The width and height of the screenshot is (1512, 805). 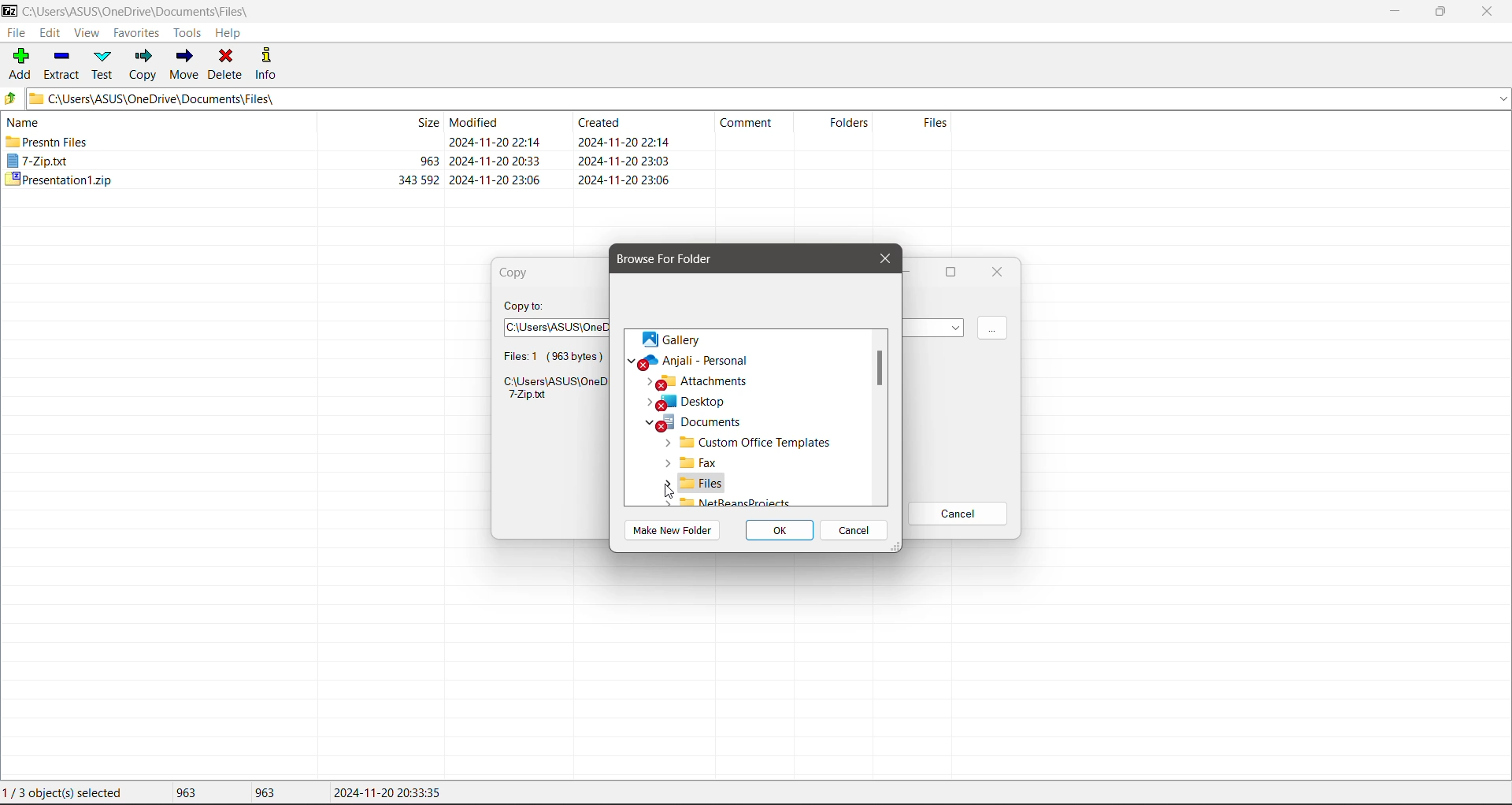 I want to click on Browse for Folder, so click(x=673, y=259).